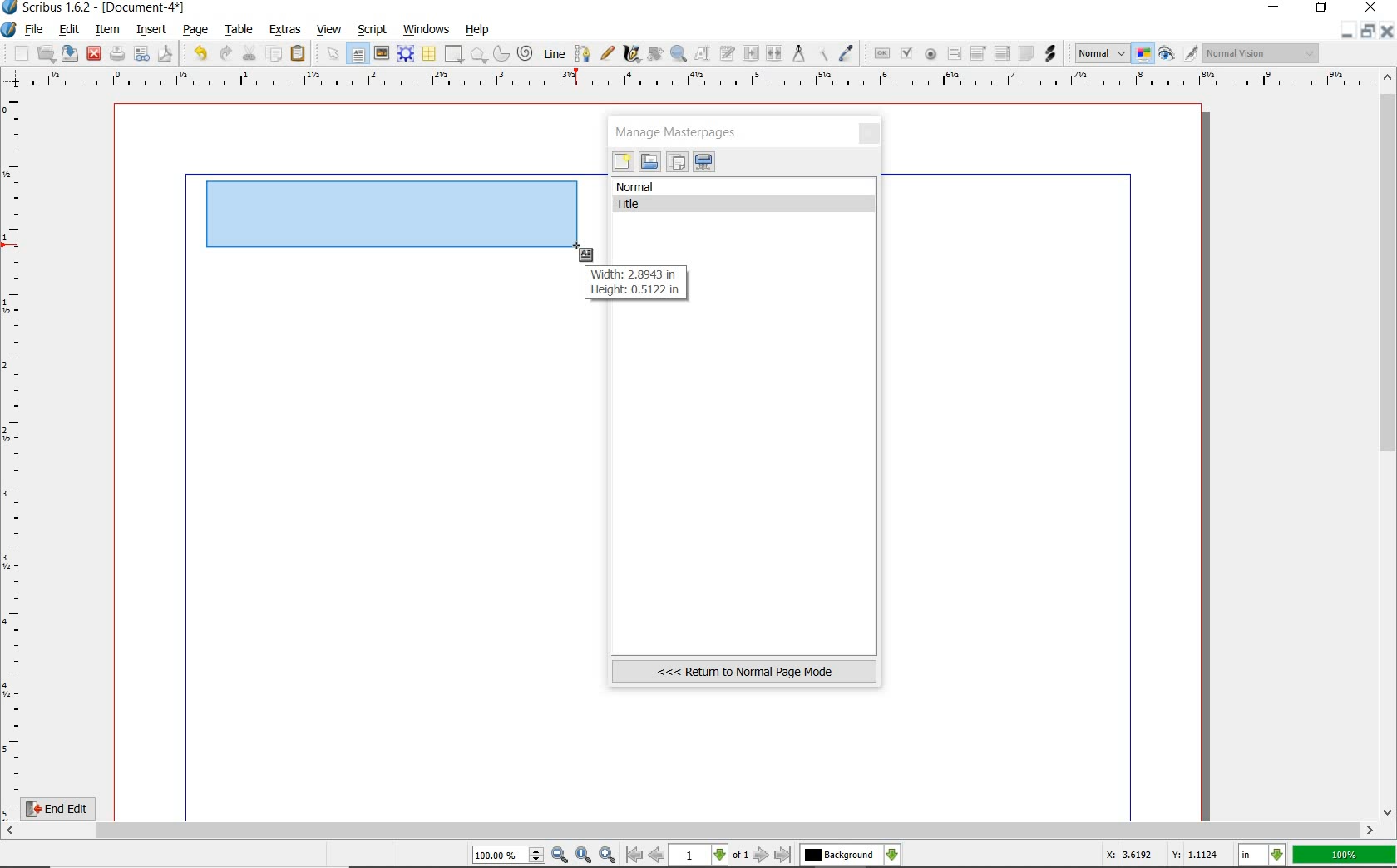 Image resolution: width=1397 pixels, height=868 pixels. I want to click on import masterpages, so click(649, 162).